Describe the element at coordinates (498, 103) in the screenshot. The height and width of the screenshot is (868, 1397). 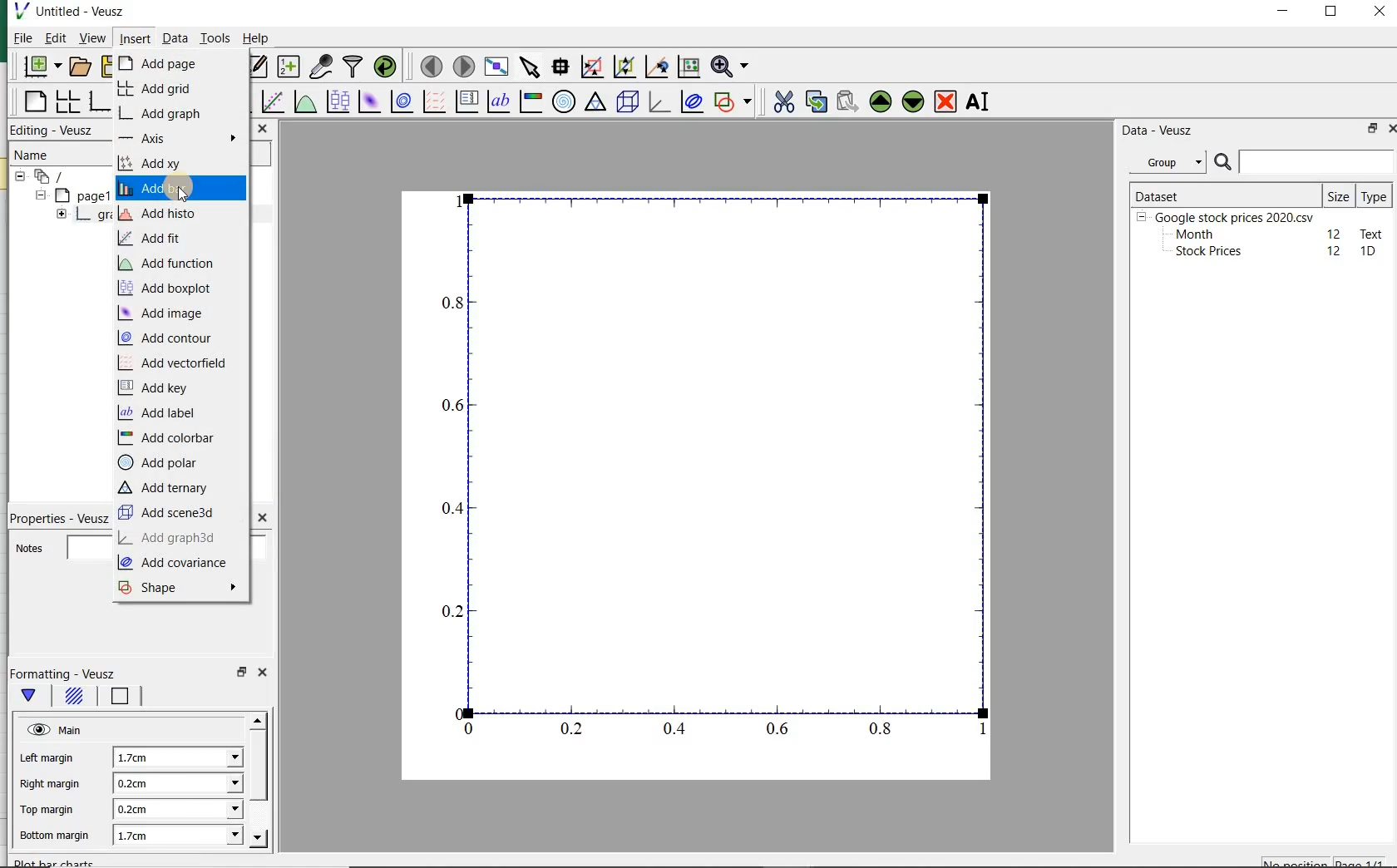
I see `text label` at that location.